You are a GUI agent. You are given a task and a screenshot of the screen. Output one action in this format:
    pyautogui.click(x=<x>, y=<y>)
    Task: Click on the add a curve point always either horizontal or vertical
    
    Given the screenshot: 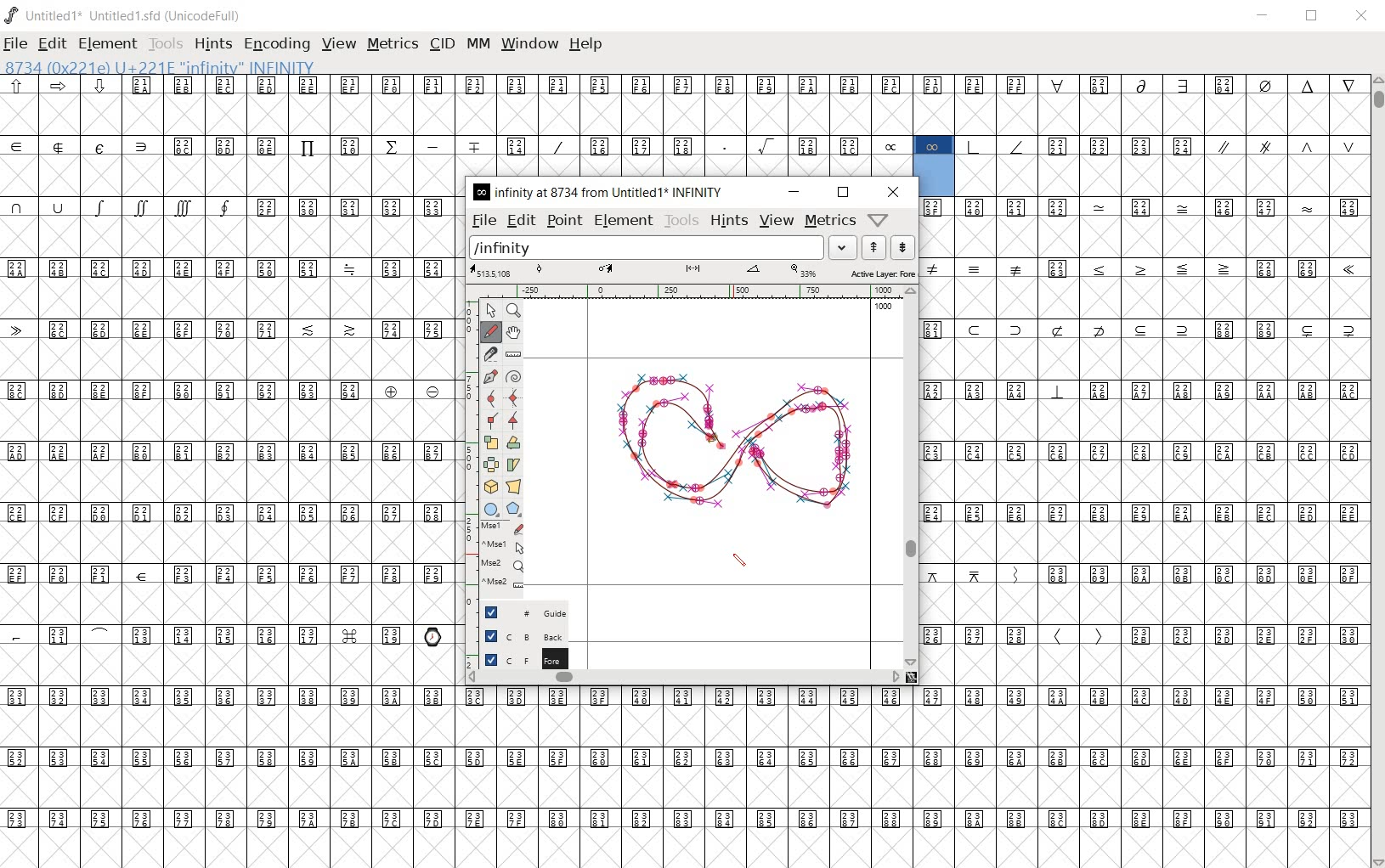 What is the action you would take?
    pyautogui.click(x=512, y=397)
    